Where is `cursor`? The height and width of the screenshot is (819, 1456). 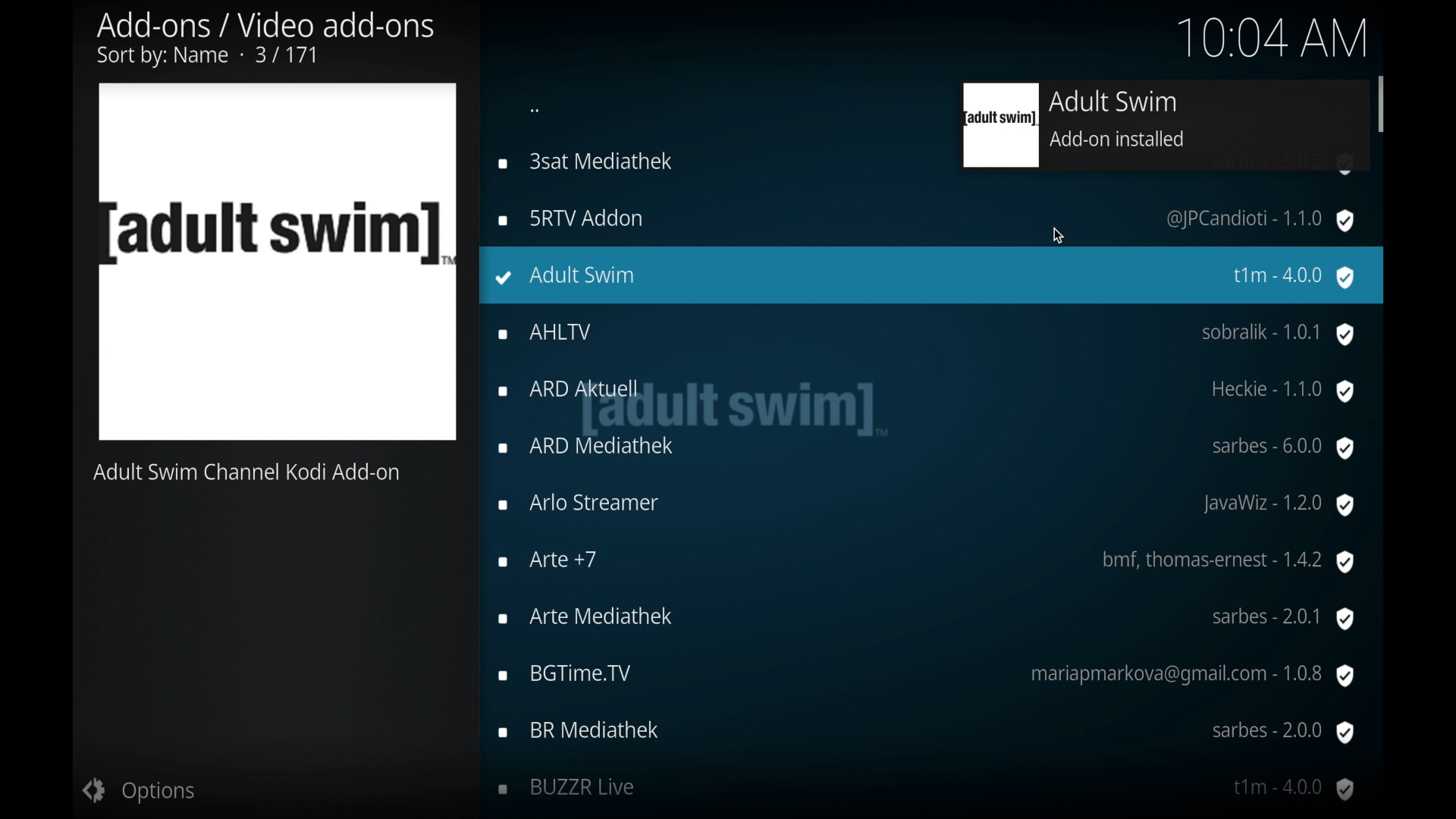
cursor is located at coordinates (1059, 236).